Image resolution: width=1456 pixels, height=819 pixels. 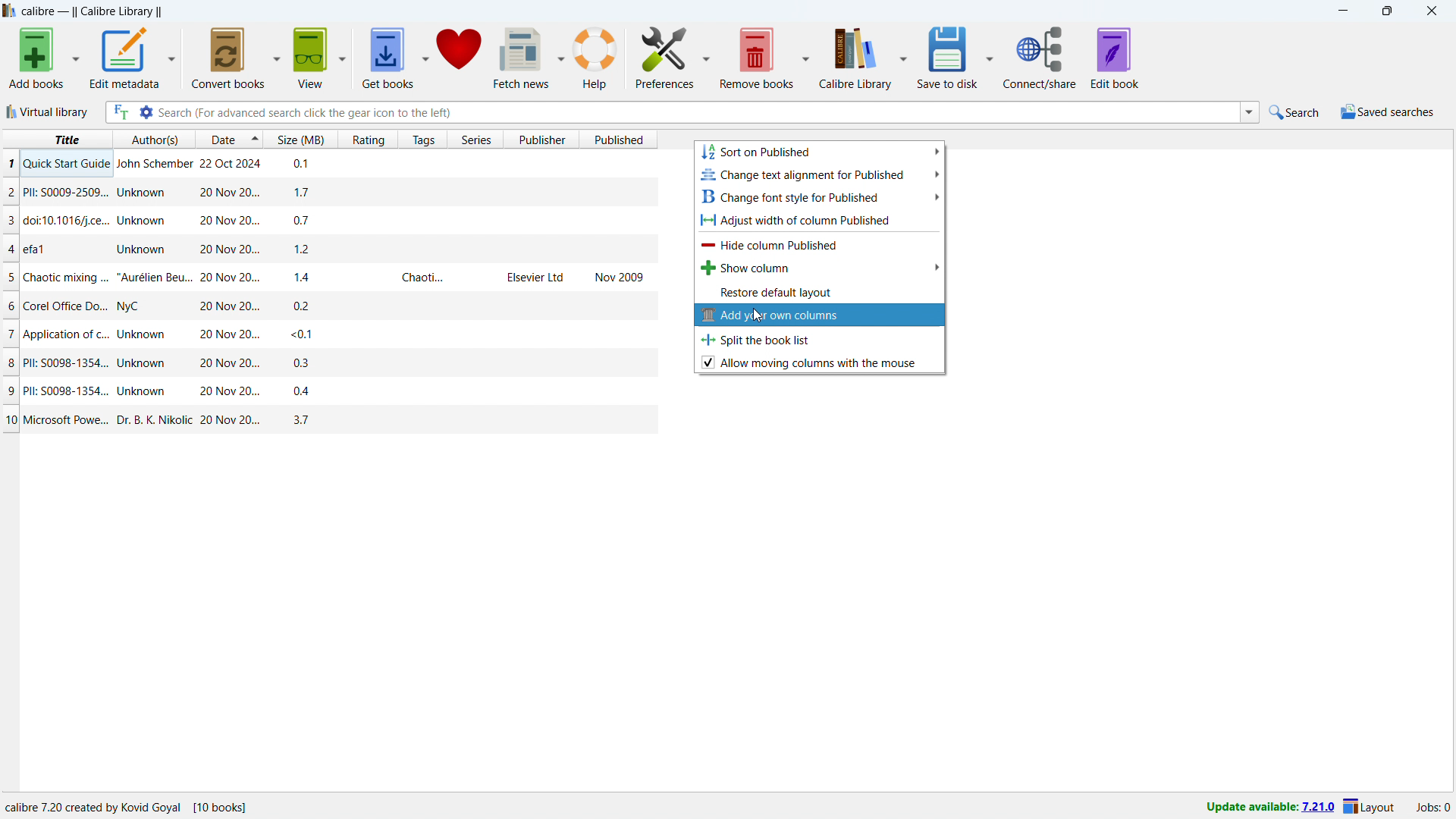 I want to click on 6 Corel Office Do... NyC 20 Nov 20... 02, so click(x=333, y=300).